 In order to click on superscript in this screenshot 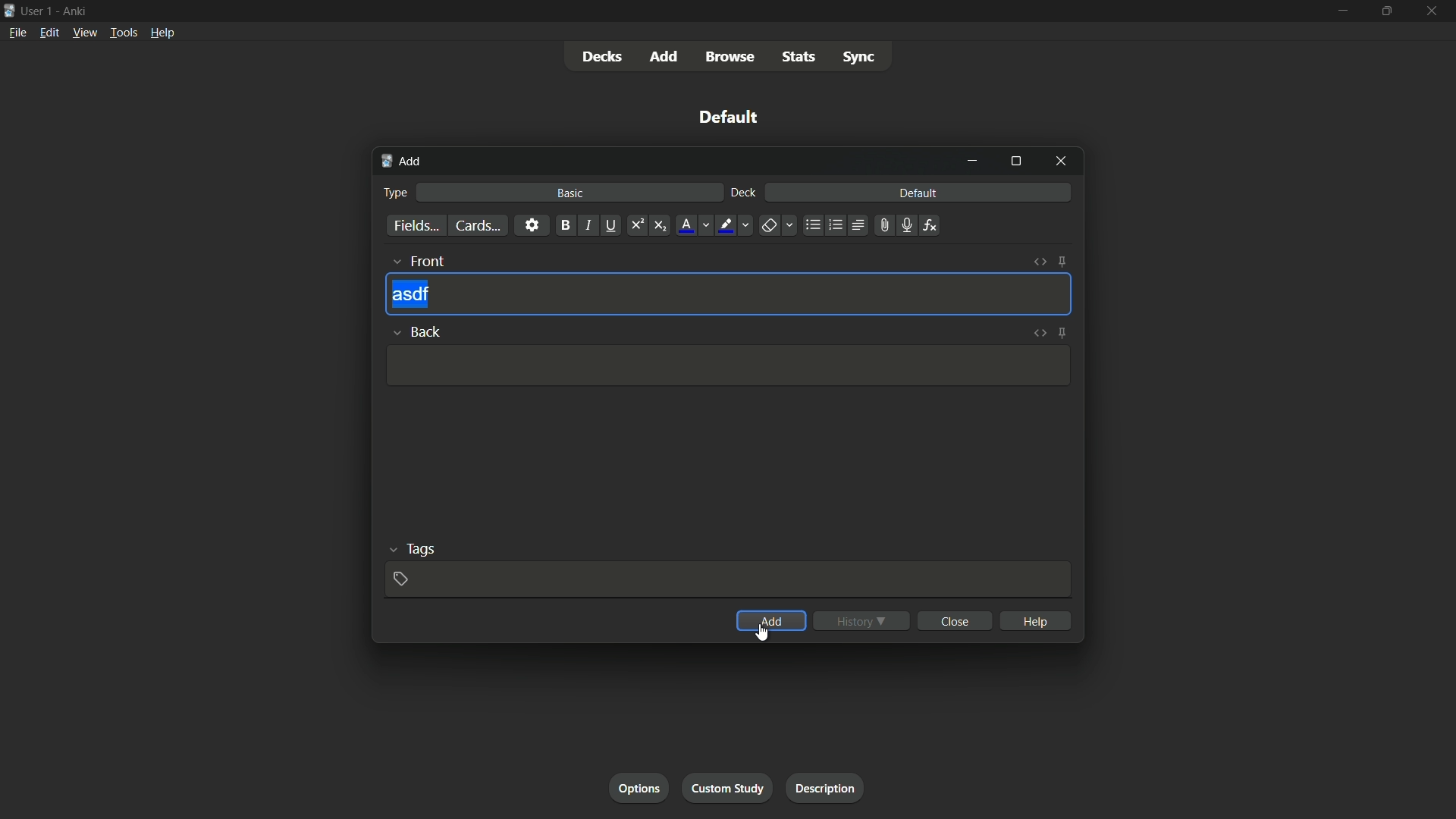, I will do `click(636, 225)`.